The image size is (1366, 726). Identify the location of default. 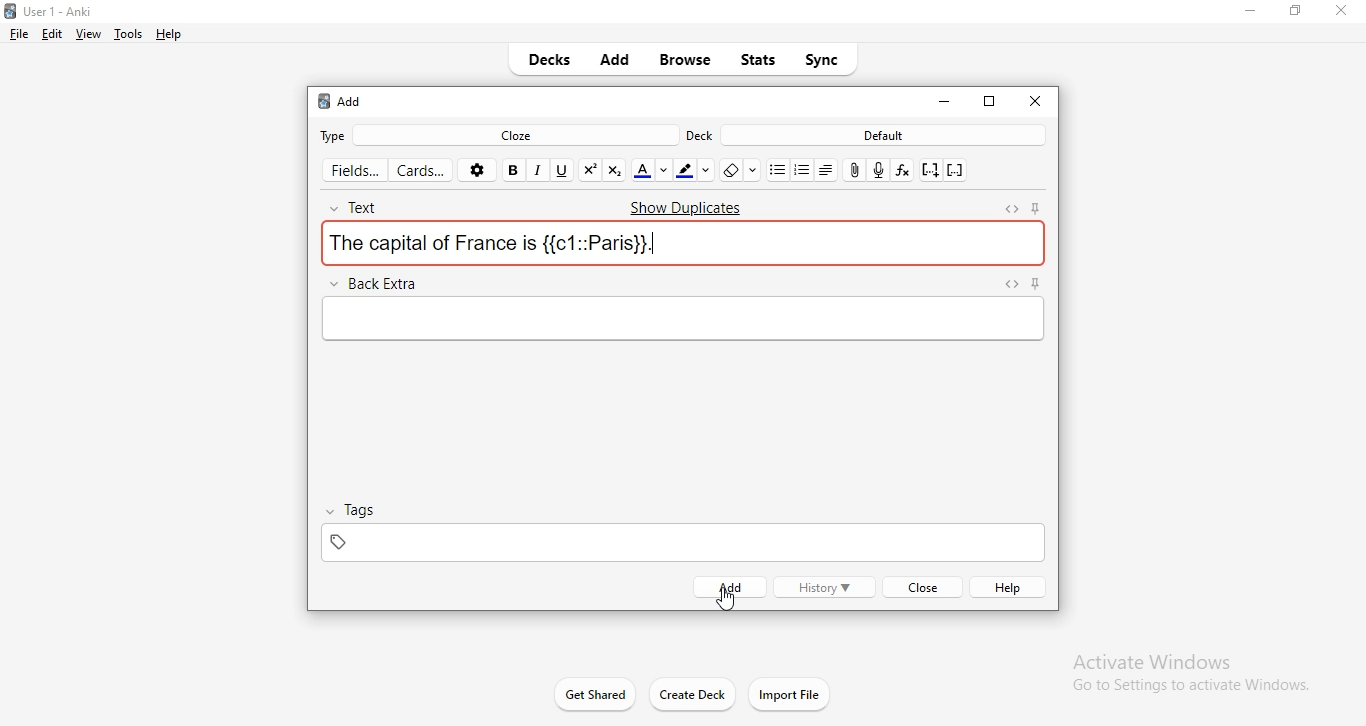
(885, 136).